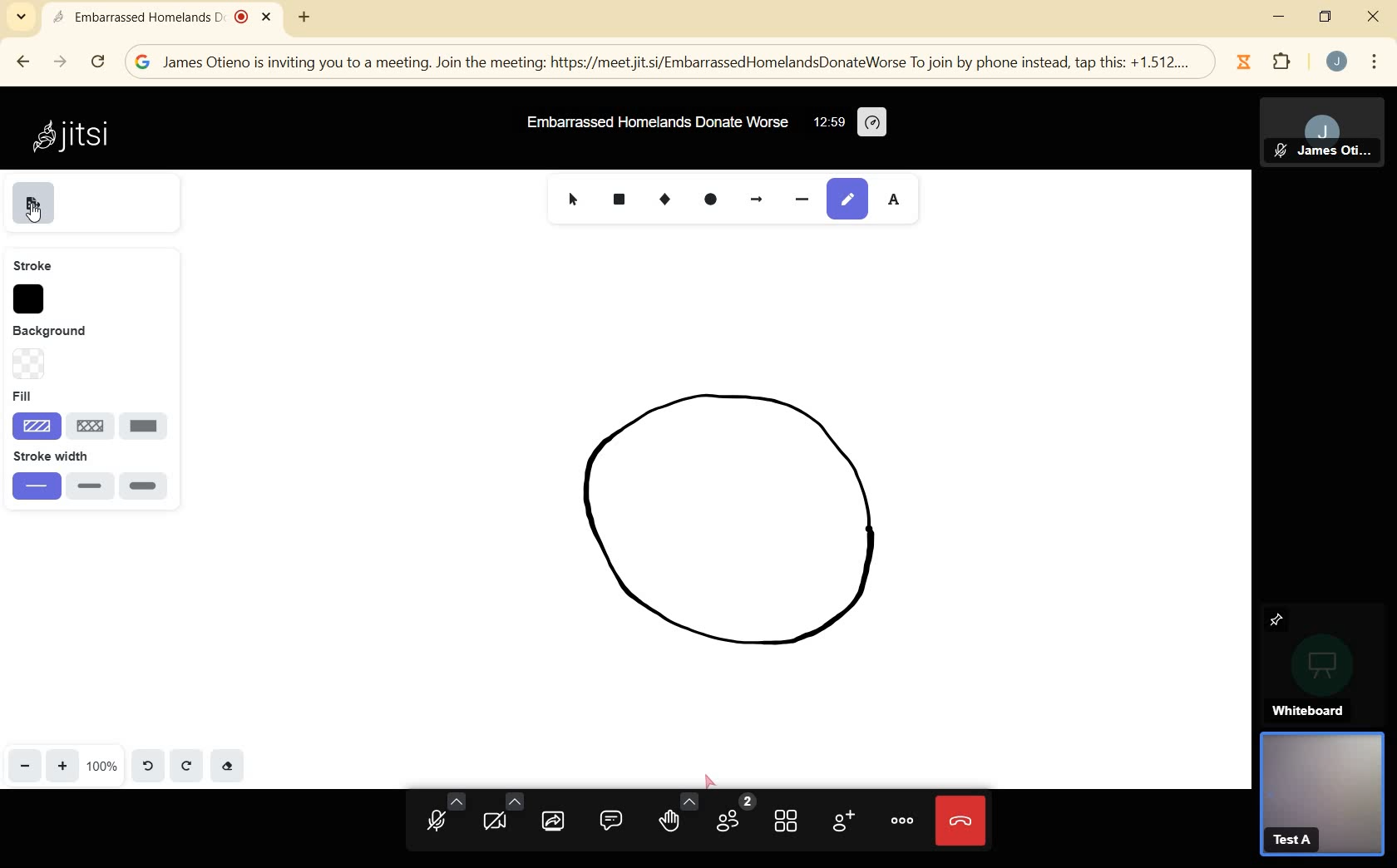 This screenshot has width=1397, height=868. What do you see at coordinates (27, 767) in the screenshot?
I see `zoom out` at bounding box center [27, 767].